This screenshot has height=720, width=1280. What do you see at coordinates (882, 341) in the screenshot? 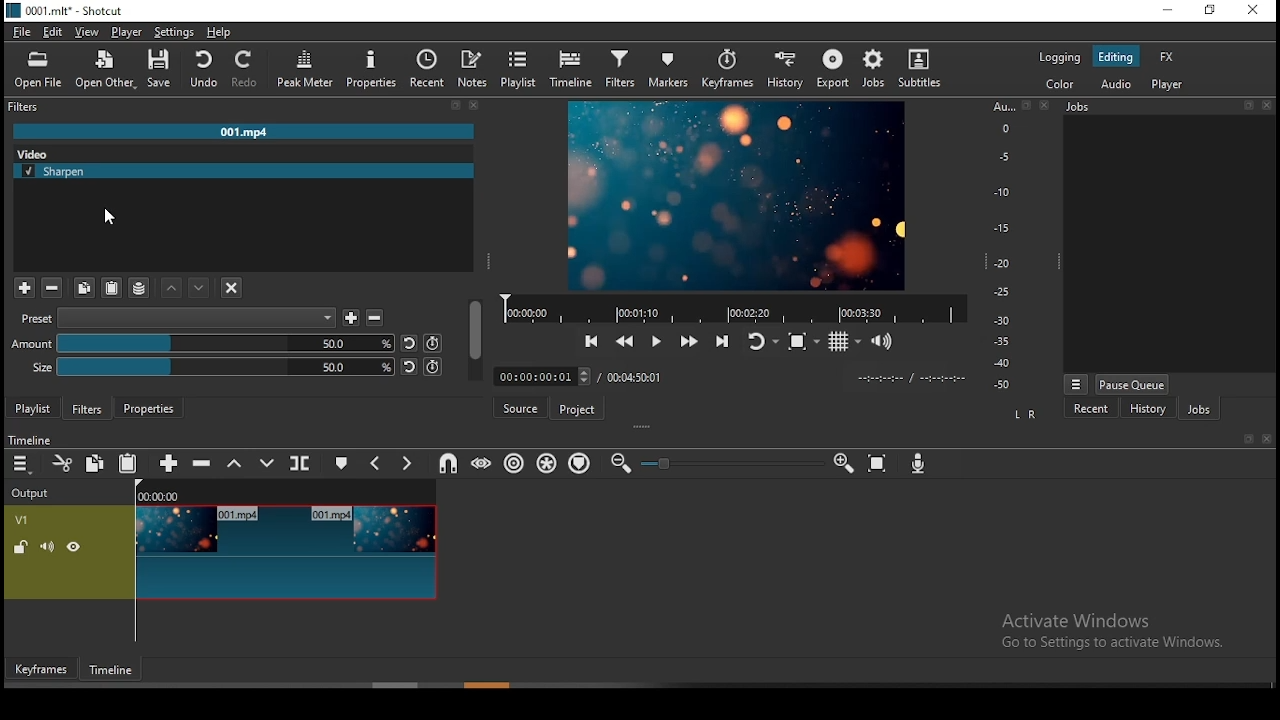
I see `volume control` at bounding box center [882, 341].